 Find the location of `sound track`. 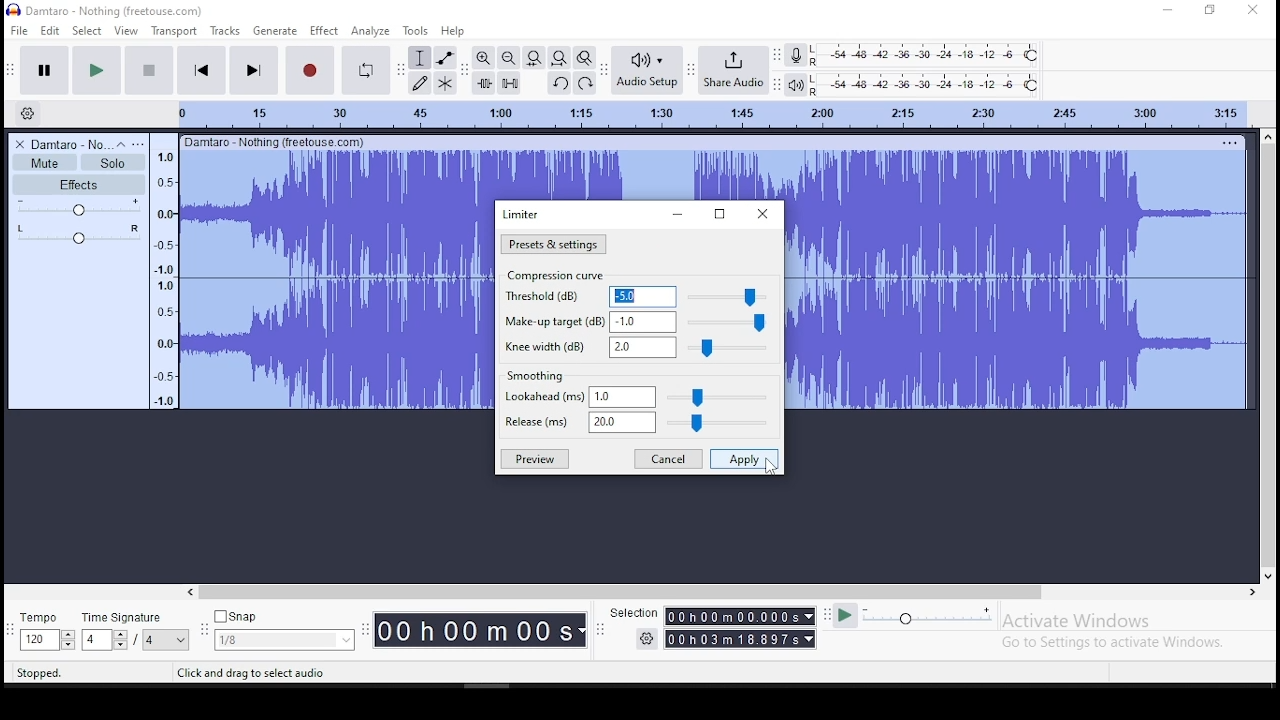

sound track is located at coordinates (1015, 282).